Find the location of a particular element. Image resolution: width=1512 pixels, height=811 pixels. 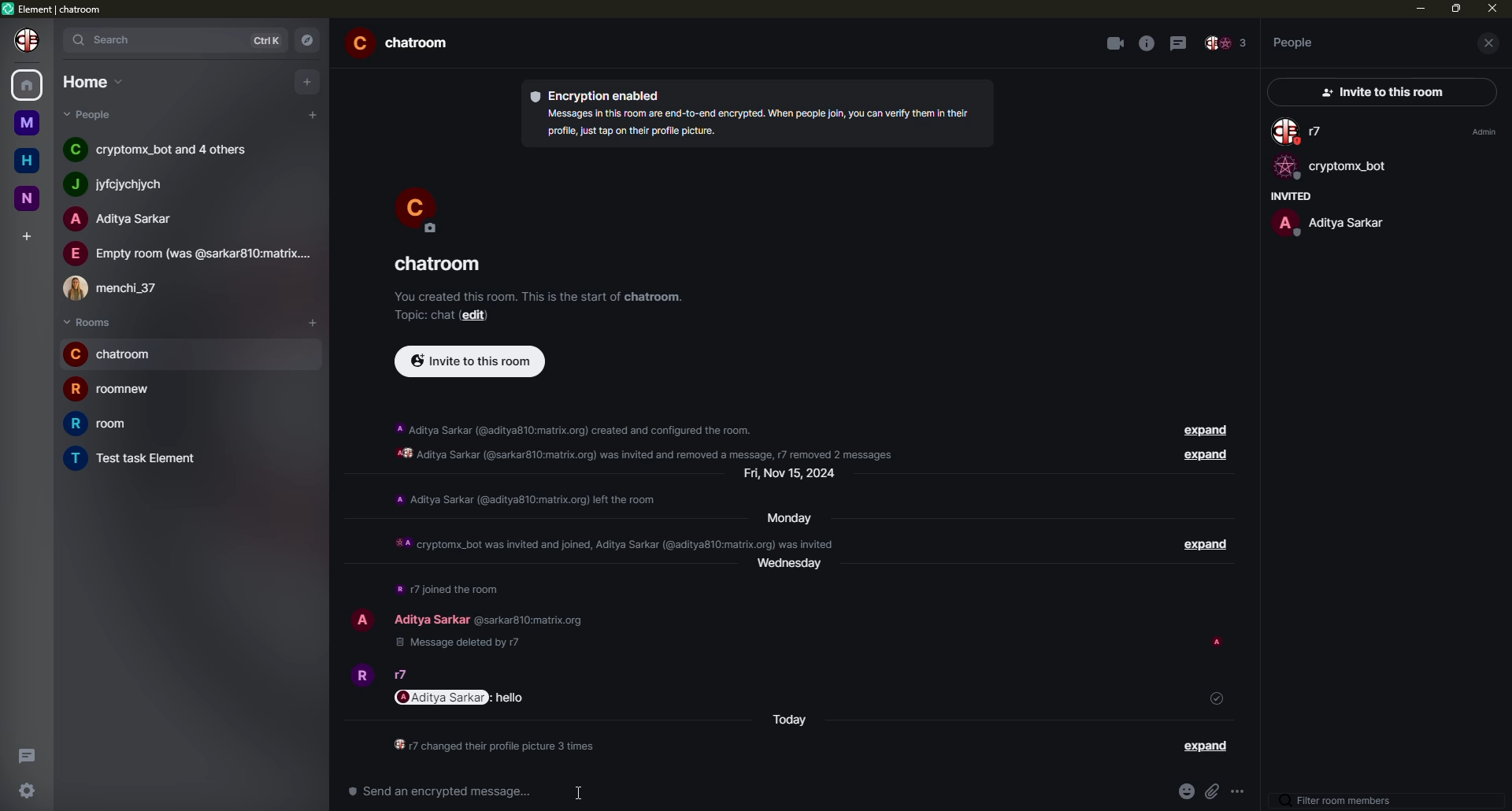

emoji is located at coordinates (1184, 792).